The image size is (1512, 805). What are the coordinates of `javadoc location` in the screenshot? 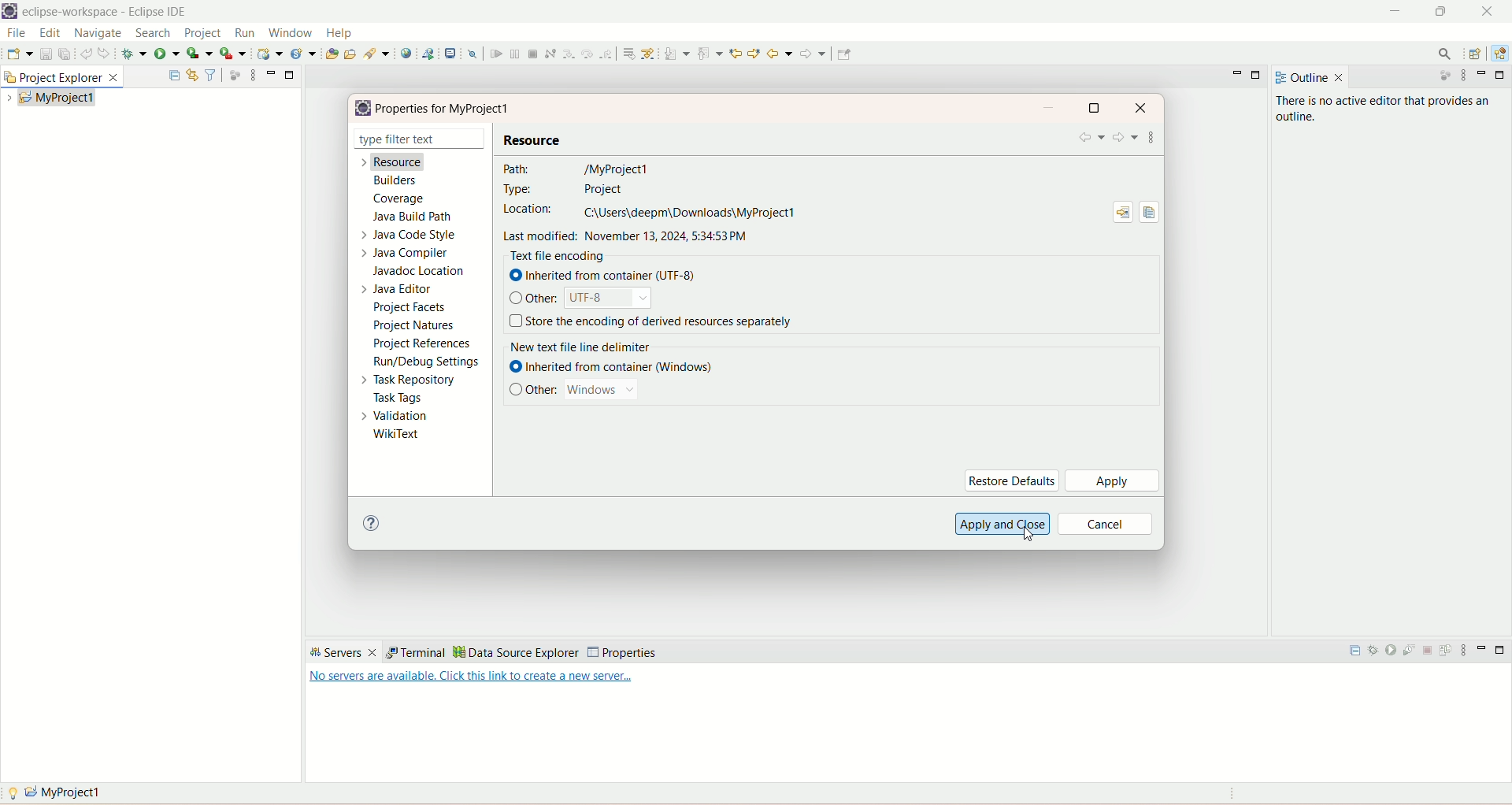 It's located at (417, 271).